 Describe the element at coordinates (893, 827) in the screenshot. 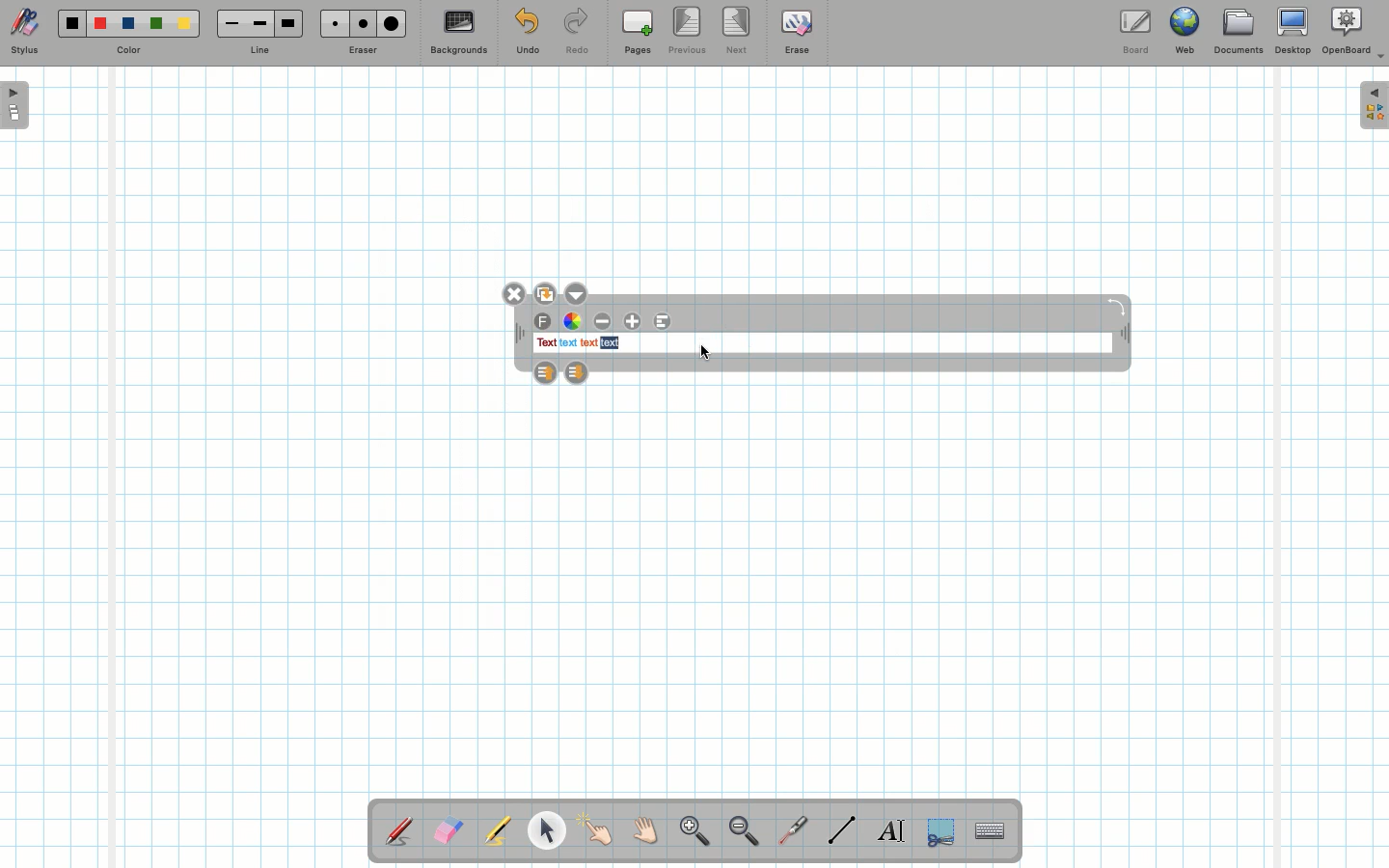

I see `Write text` at that location.